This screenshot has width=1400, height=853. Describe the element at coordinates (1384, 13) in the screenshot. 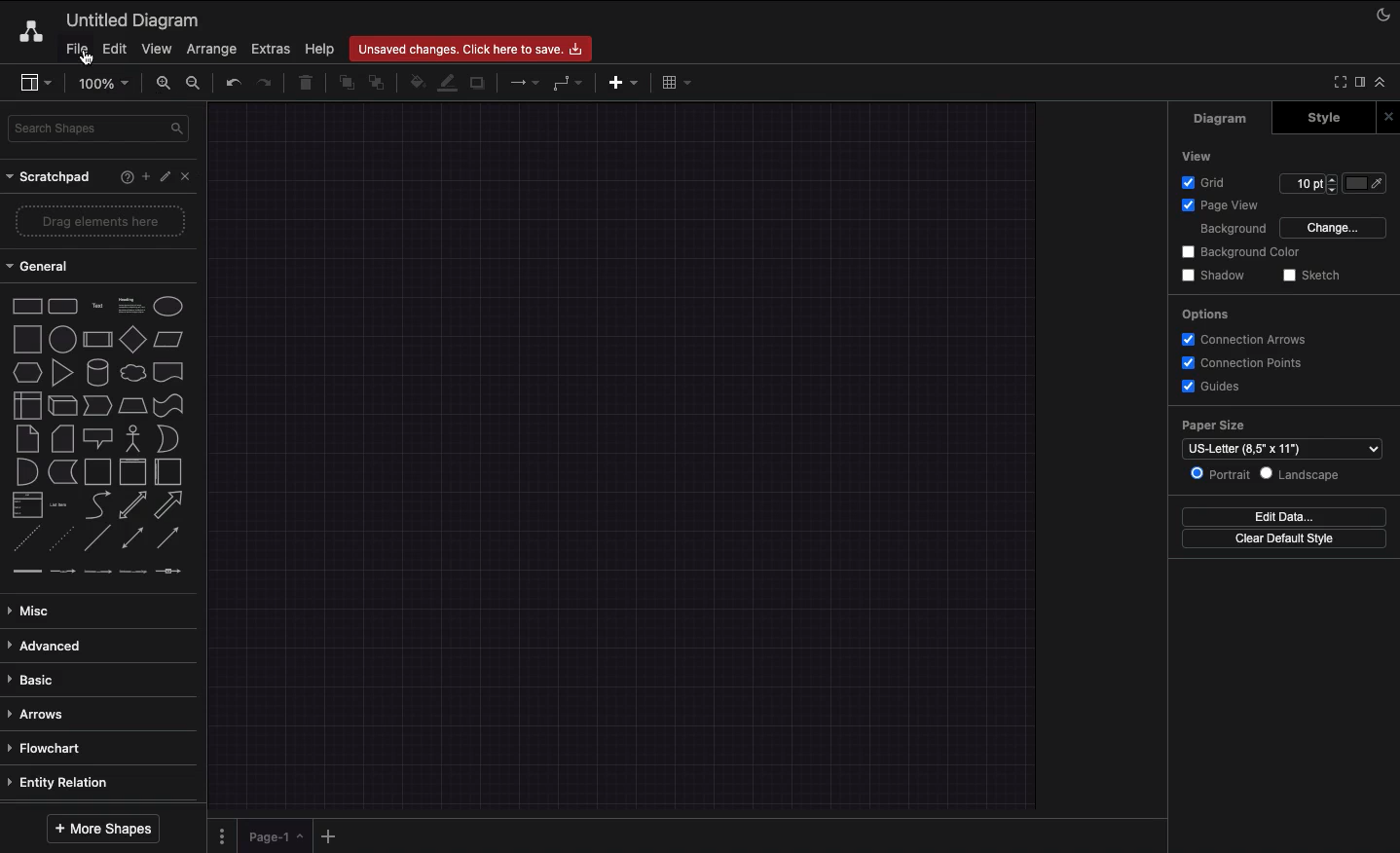

I see `Night mode ` at that location.